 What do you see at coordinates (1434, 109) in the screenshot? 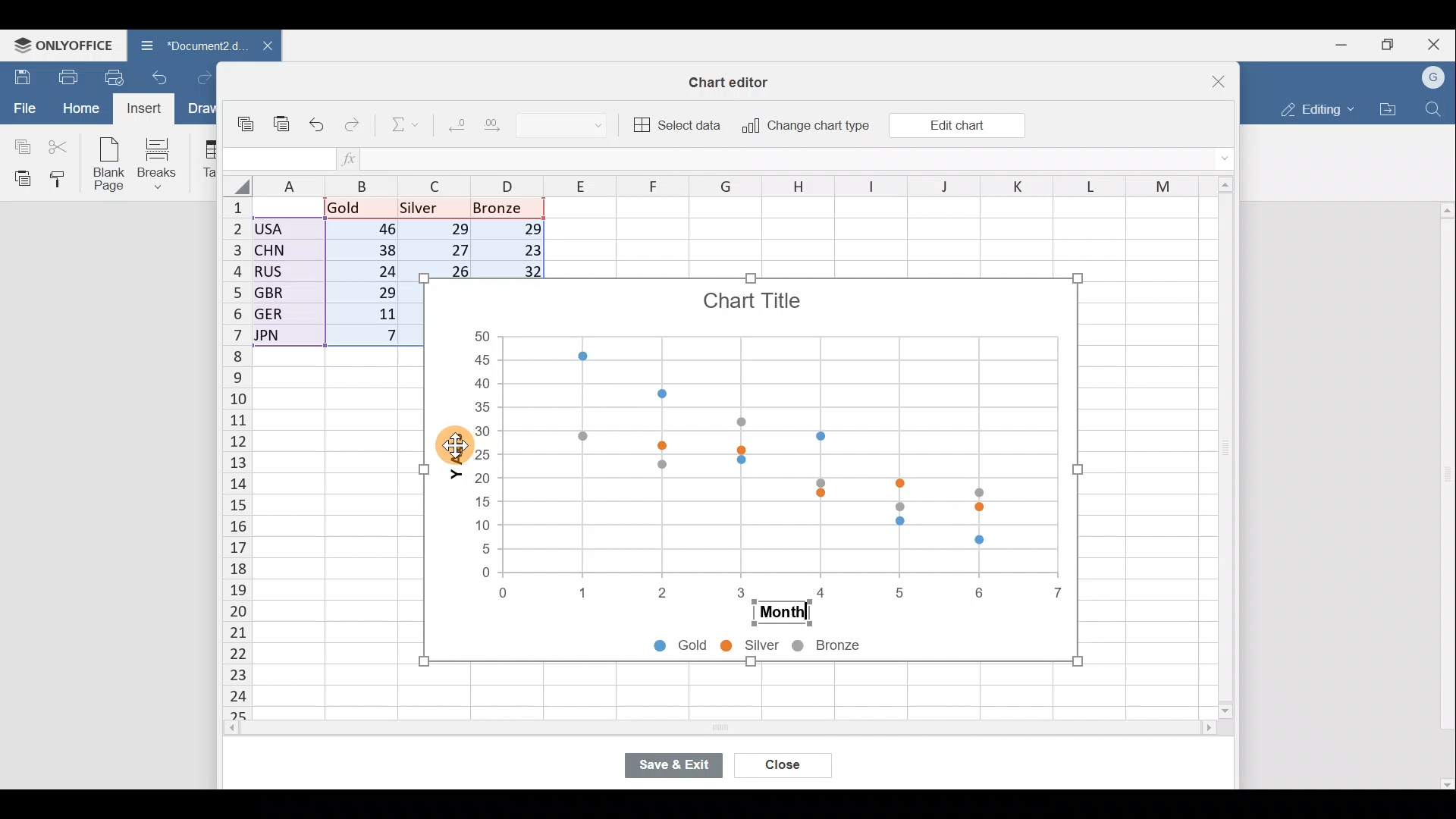
I see `Find` at bounding box center [1434, 109].